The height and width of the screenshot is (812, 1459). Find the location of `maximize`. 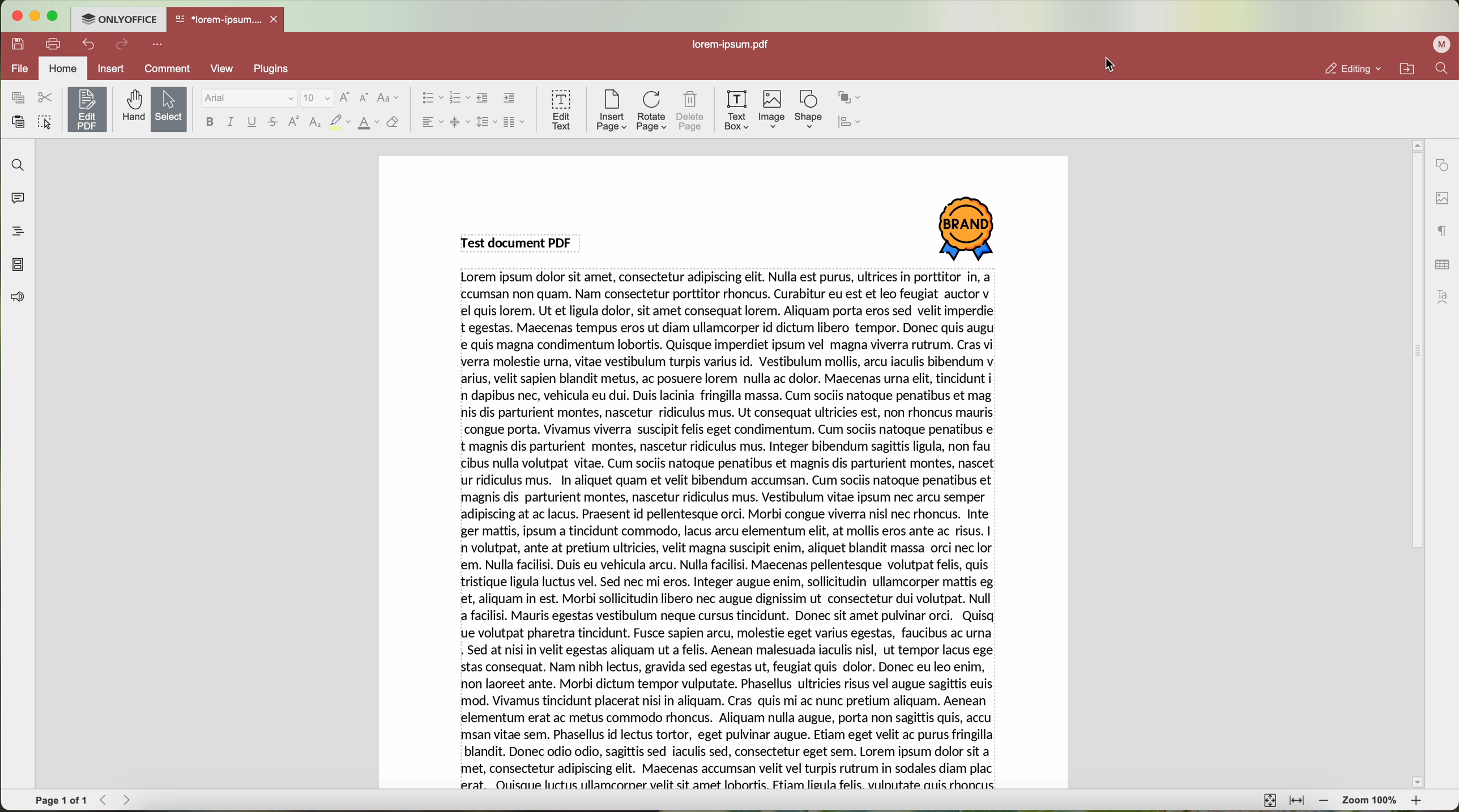

maximize is located at coordinates (54, 16).